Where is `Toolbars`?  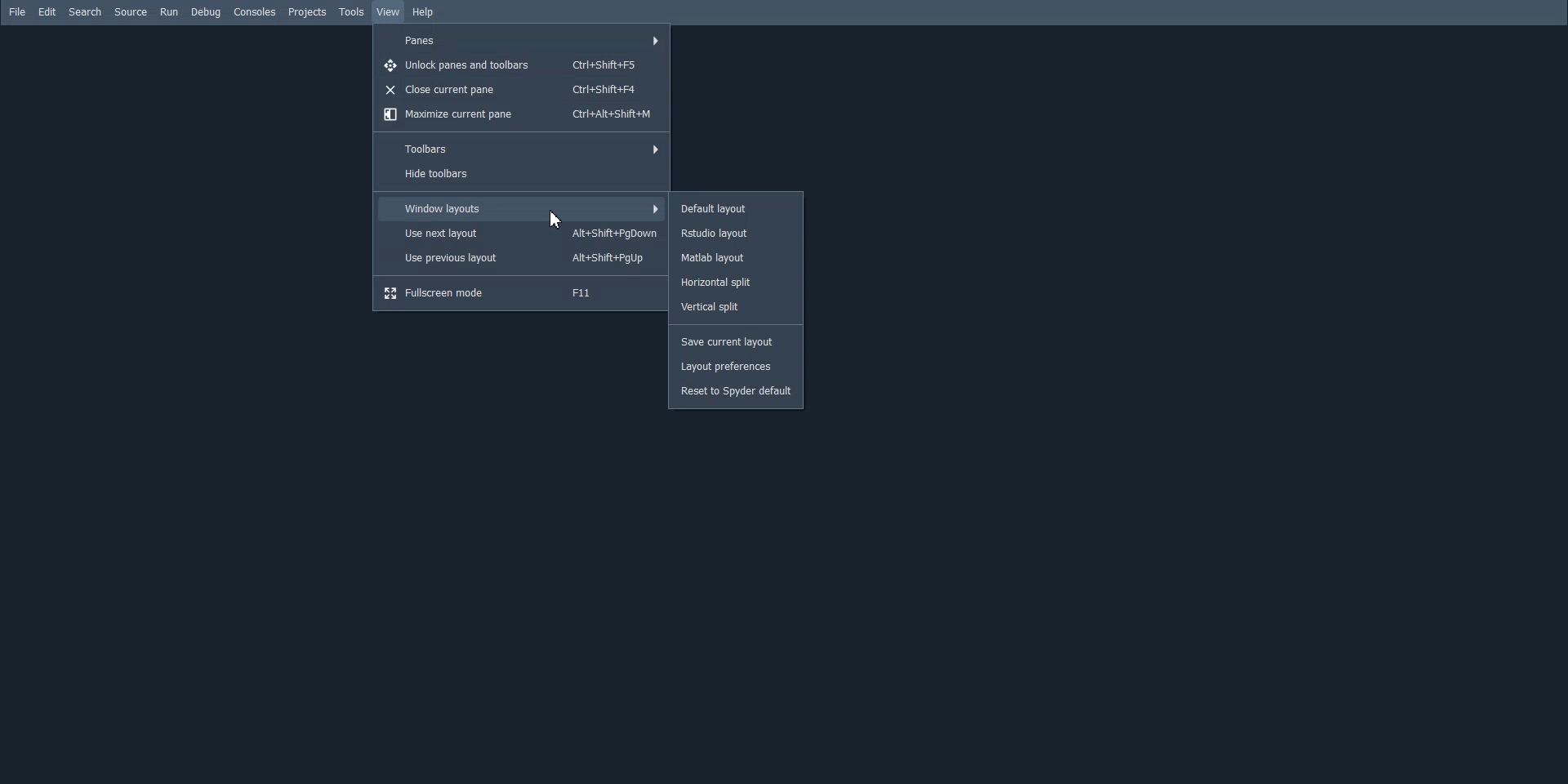
Toolbars is located at coordinates (519, 148).